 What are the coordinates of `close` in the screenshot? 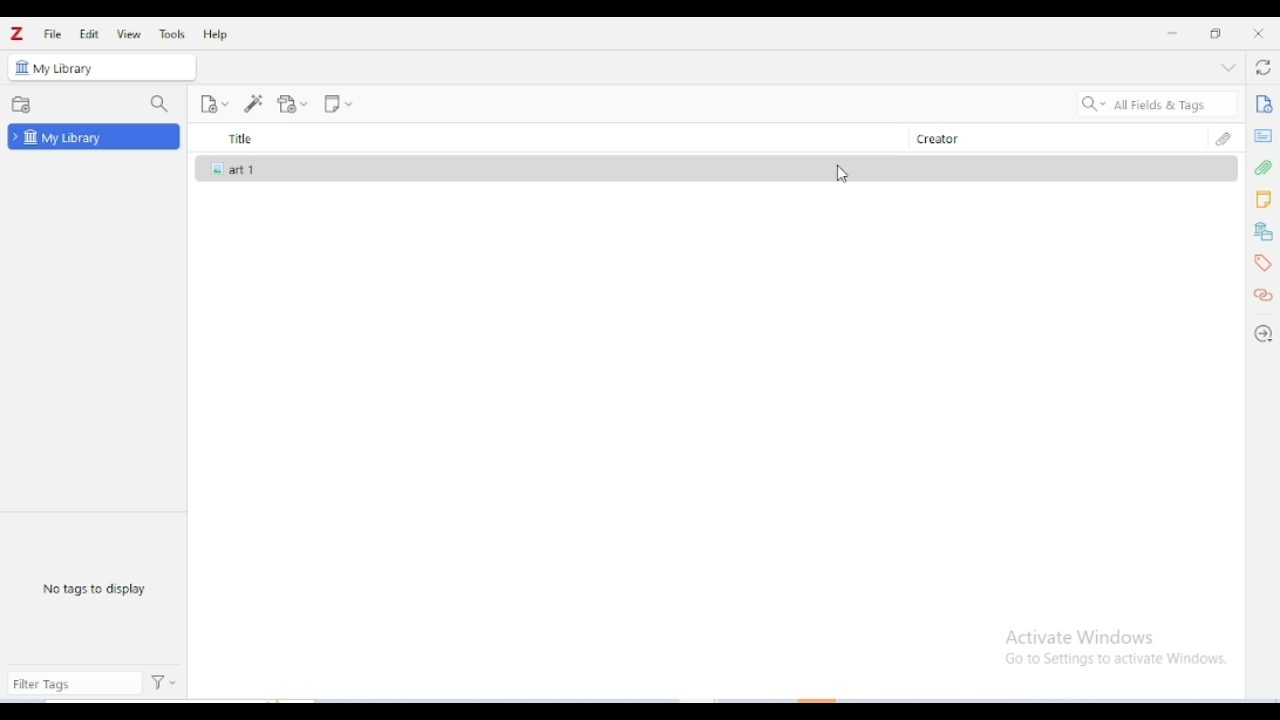 It's located at (1258, 33).